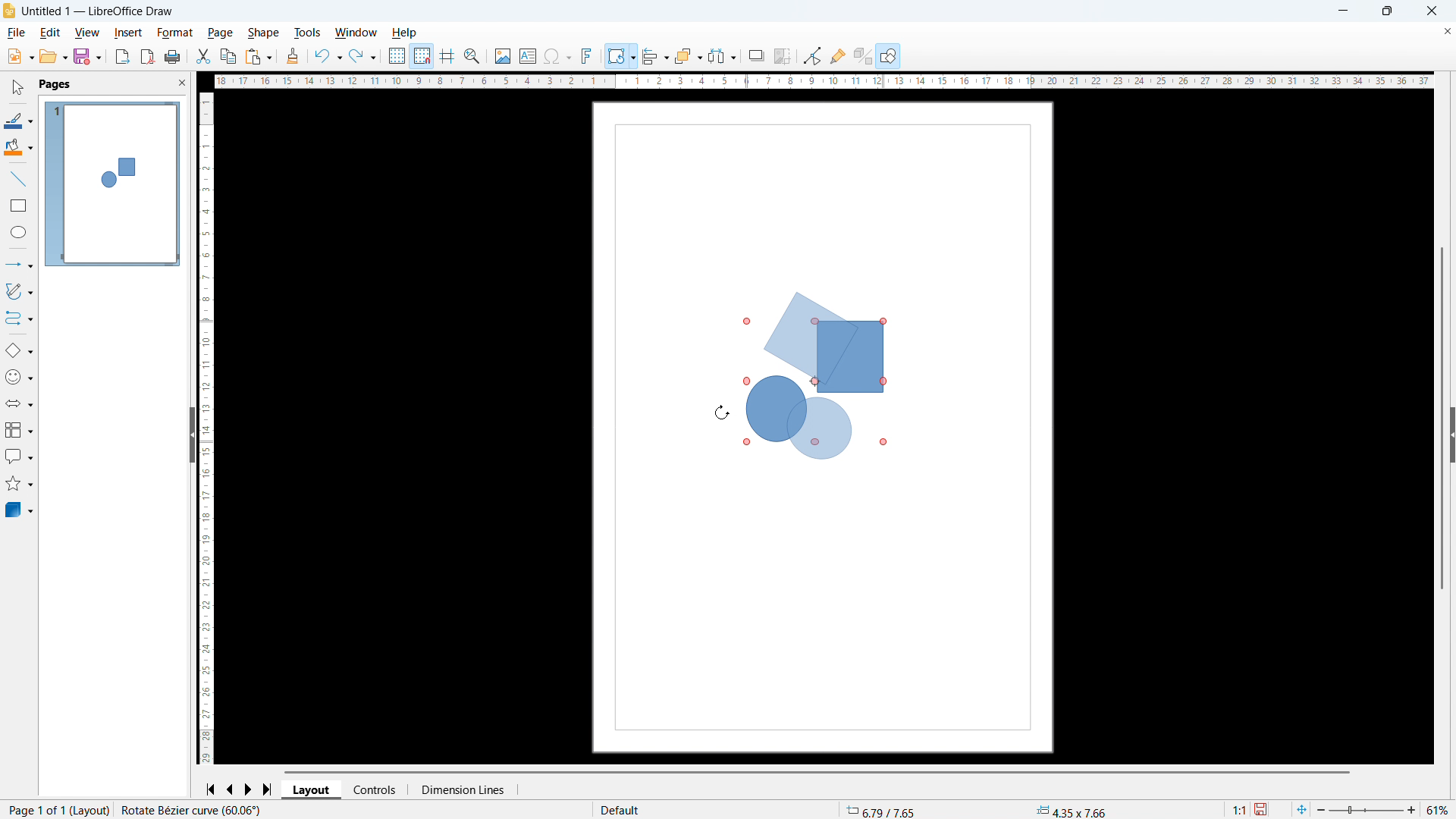  What do you see at coordinates (20, 57) in the screenshot?
I see `New ` at bounding box center [20, 57].